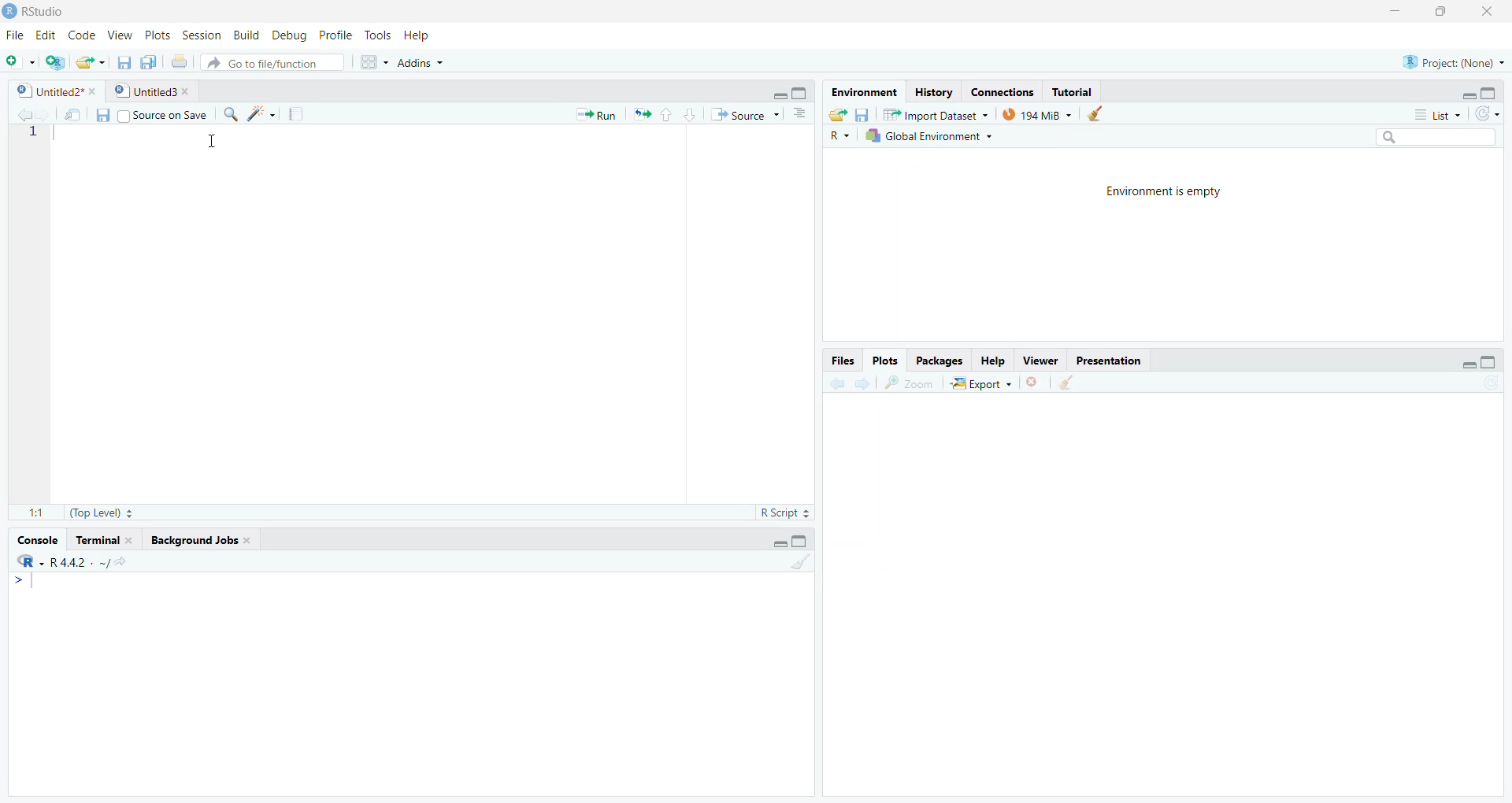  Describe the element at coordinates (666, 114) in the screenshot. I see `up` at that location.